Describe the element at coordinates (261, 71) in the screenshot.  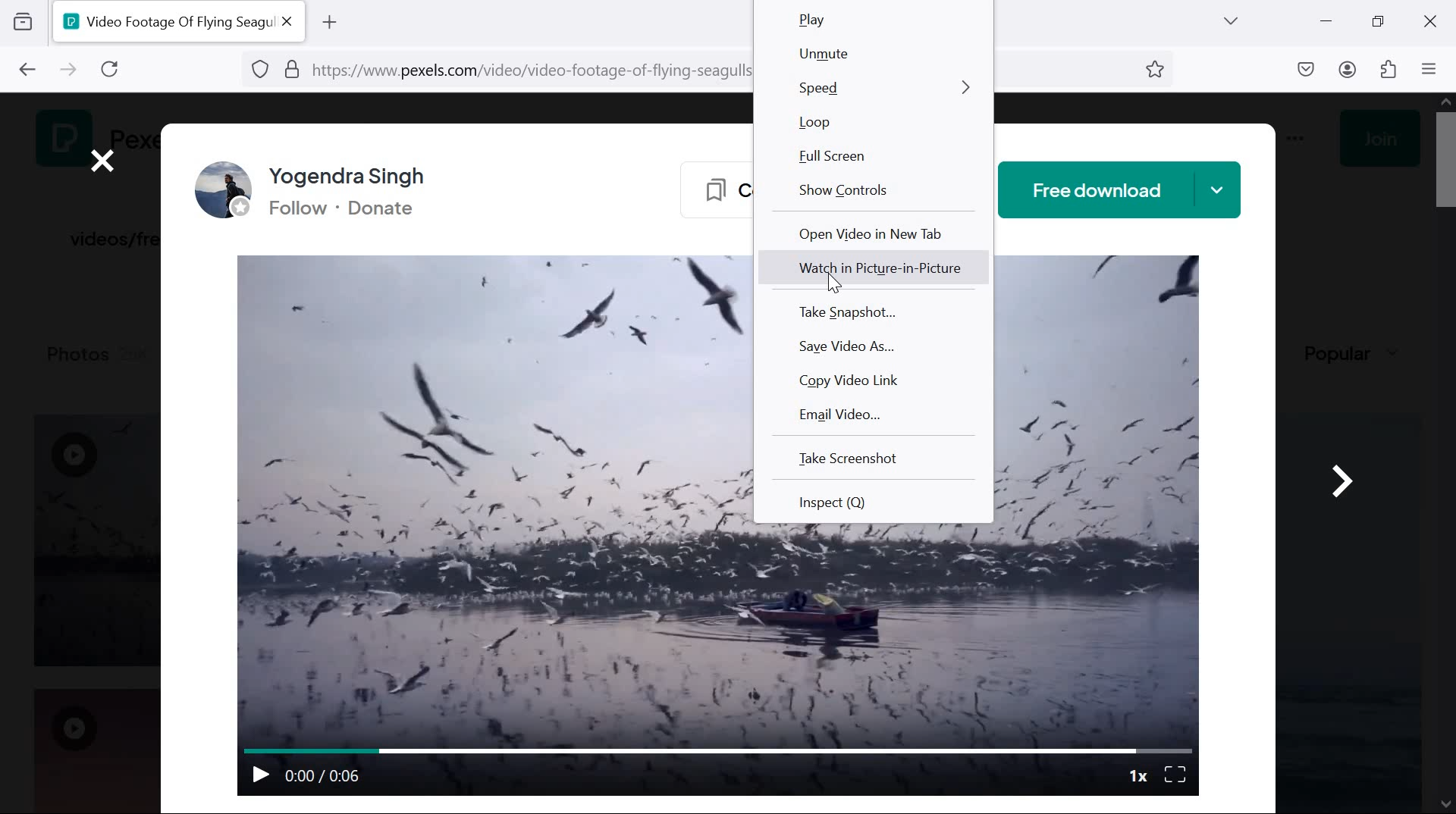
I see `BLOCKING TRACKERS` at that location.